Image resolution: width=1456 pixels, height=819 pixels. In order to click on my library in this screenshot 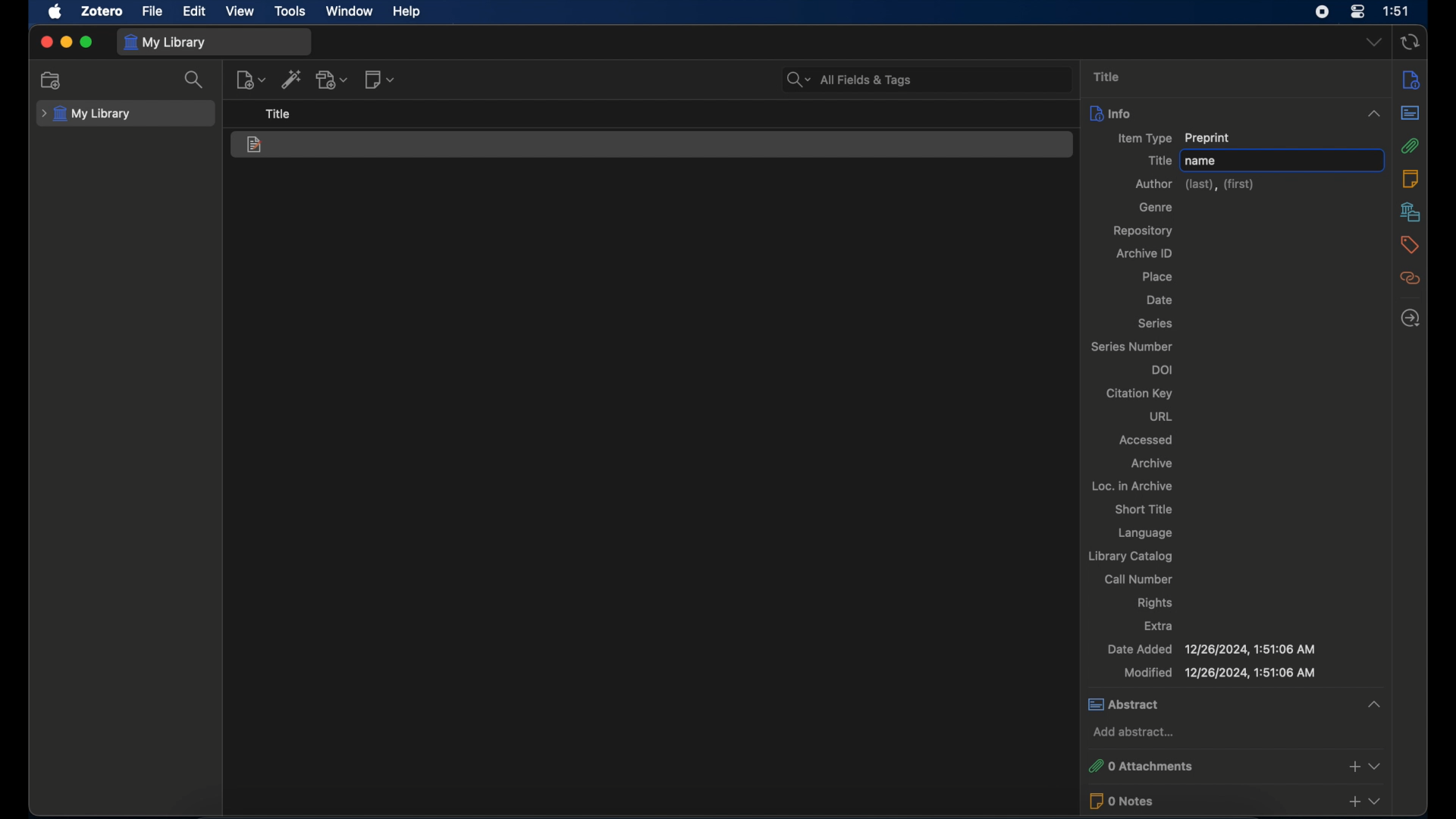, I will do `click(165, 42)`.